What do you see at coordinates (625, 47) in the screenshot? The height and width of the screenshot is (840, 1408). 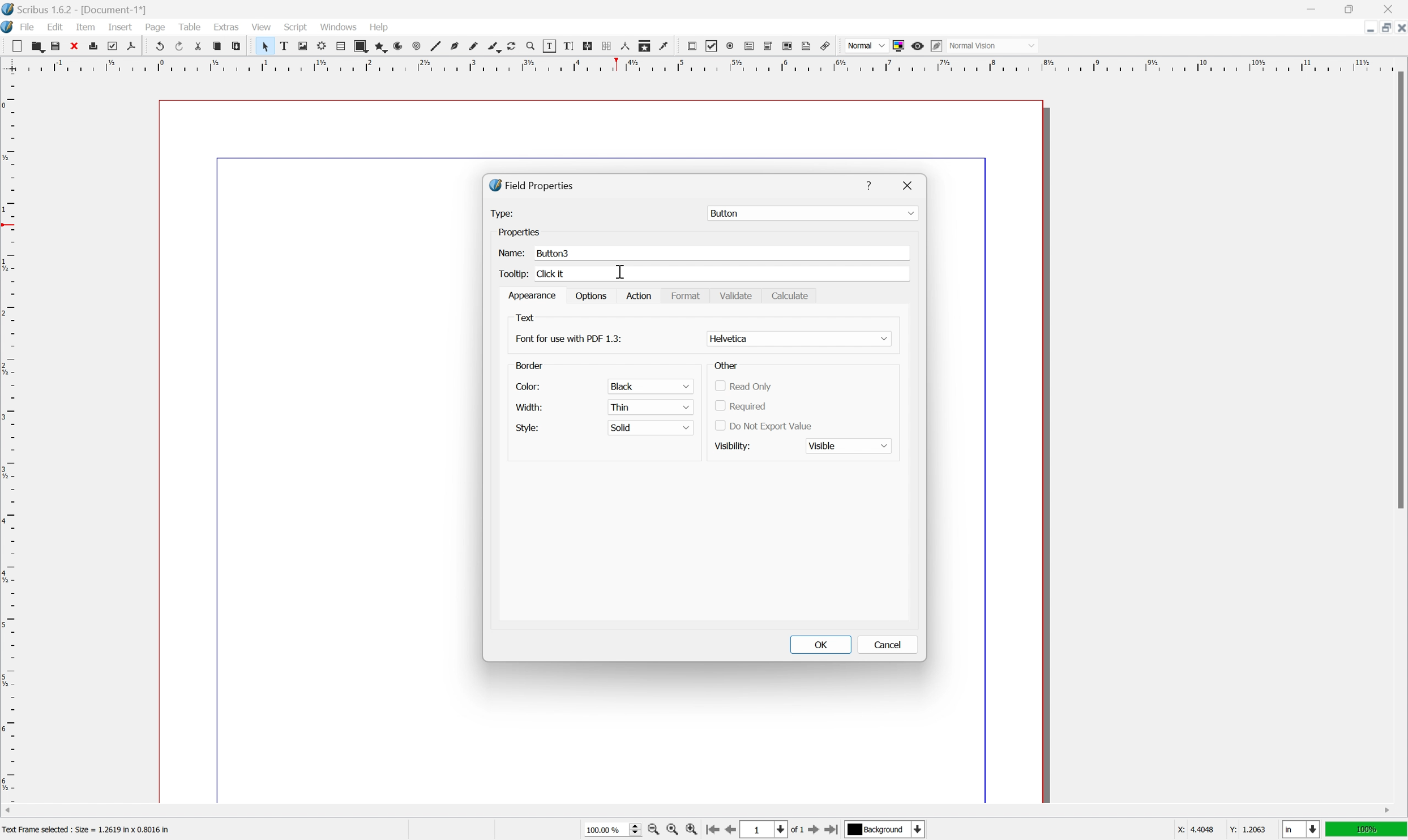 I see `measurements` at bounding box center [625, 47].